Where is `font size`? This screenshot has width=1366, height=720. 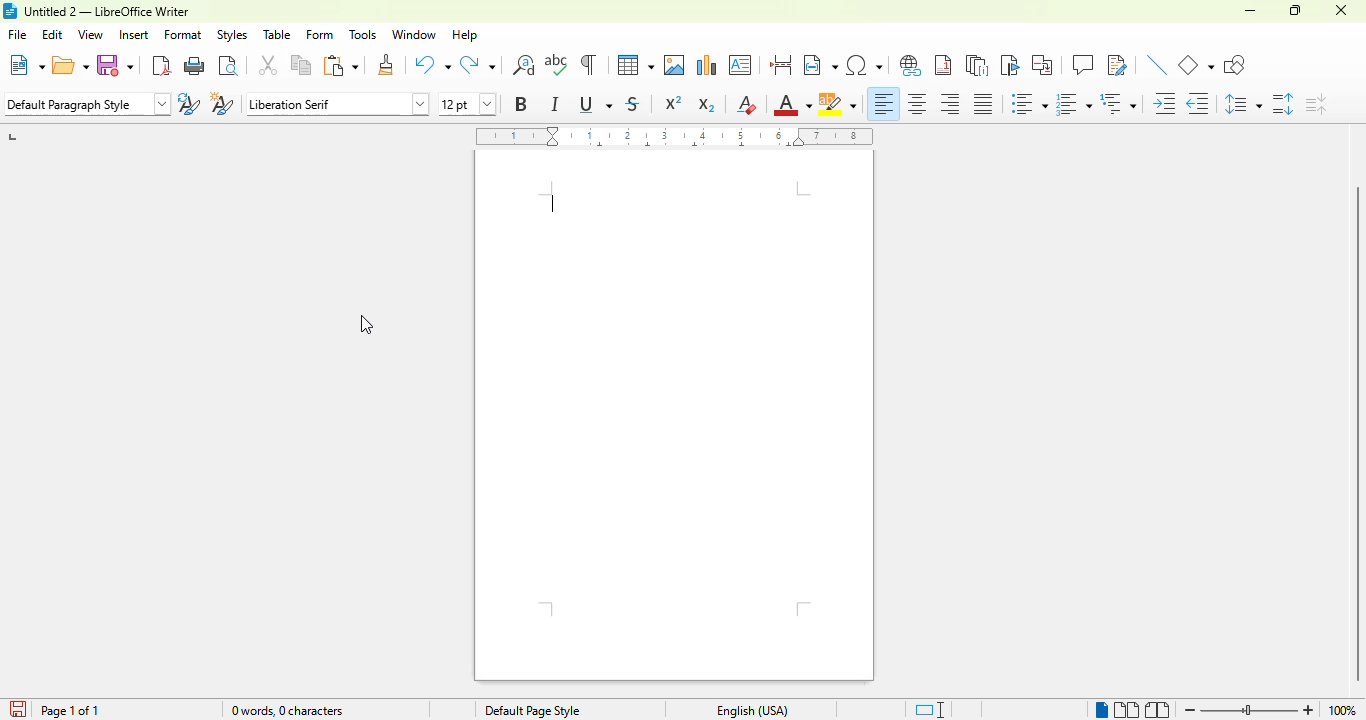
font size is located at coordinates (467, 104).